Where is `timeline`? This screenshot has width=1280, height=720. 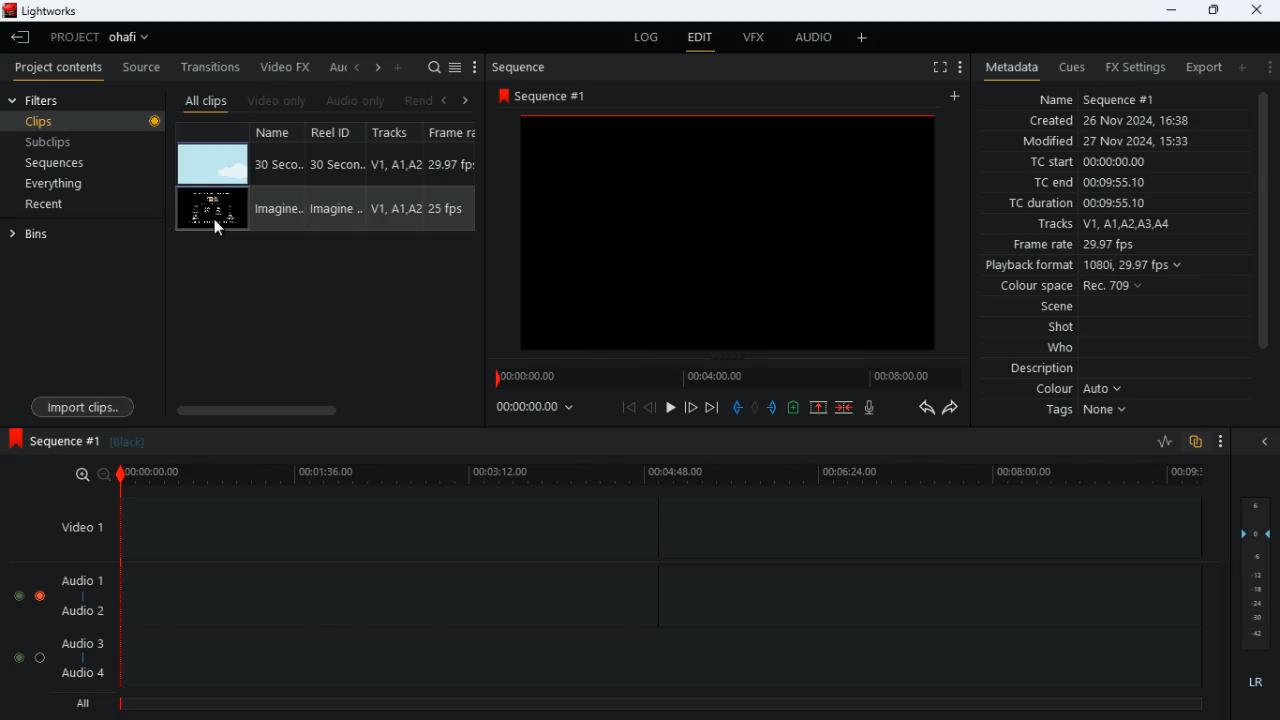
timeline is located at coordinates (722, 378).